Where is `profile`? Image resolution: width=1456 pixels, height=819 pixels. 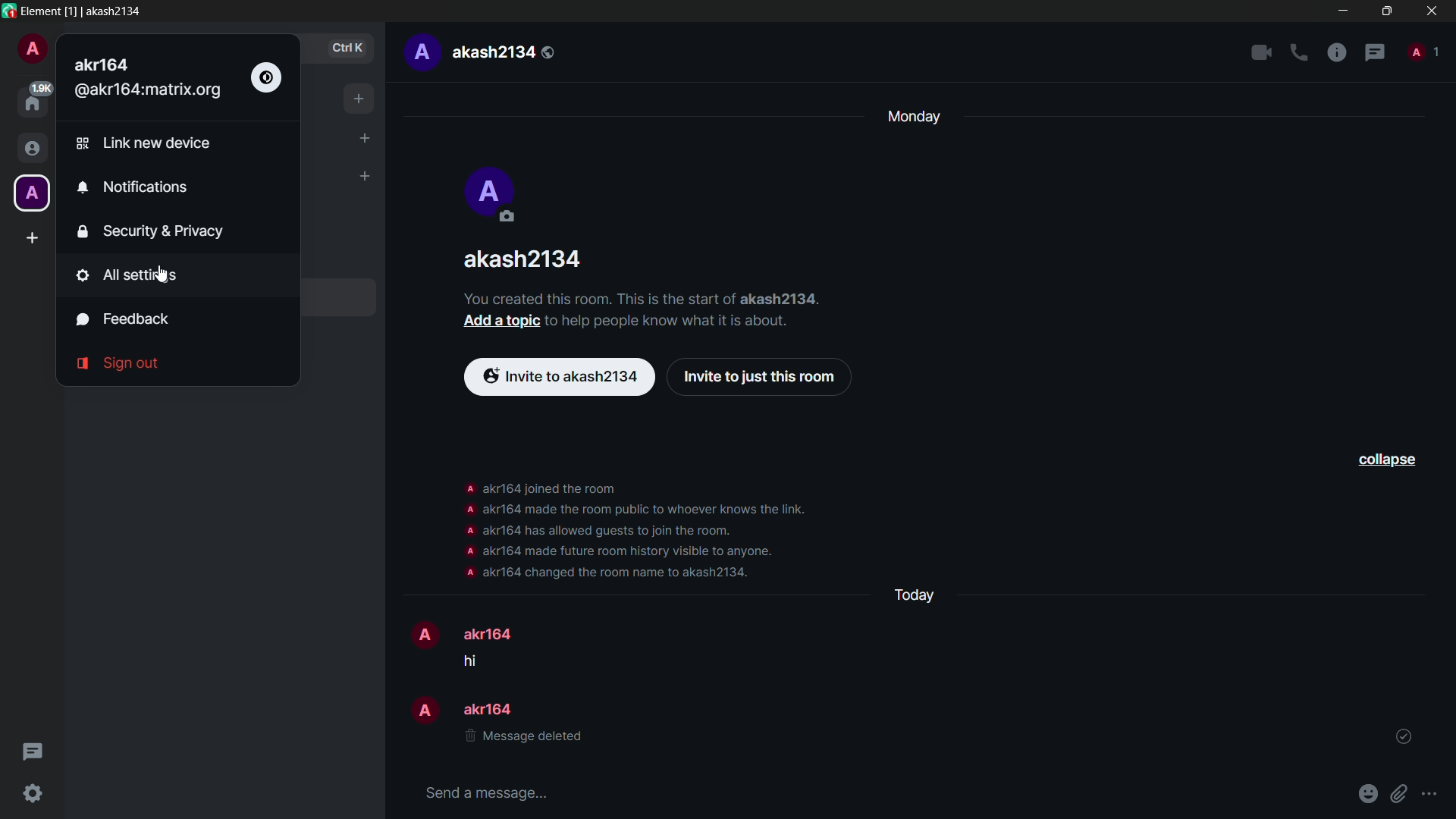
profile is located at coordinates (469, 529).